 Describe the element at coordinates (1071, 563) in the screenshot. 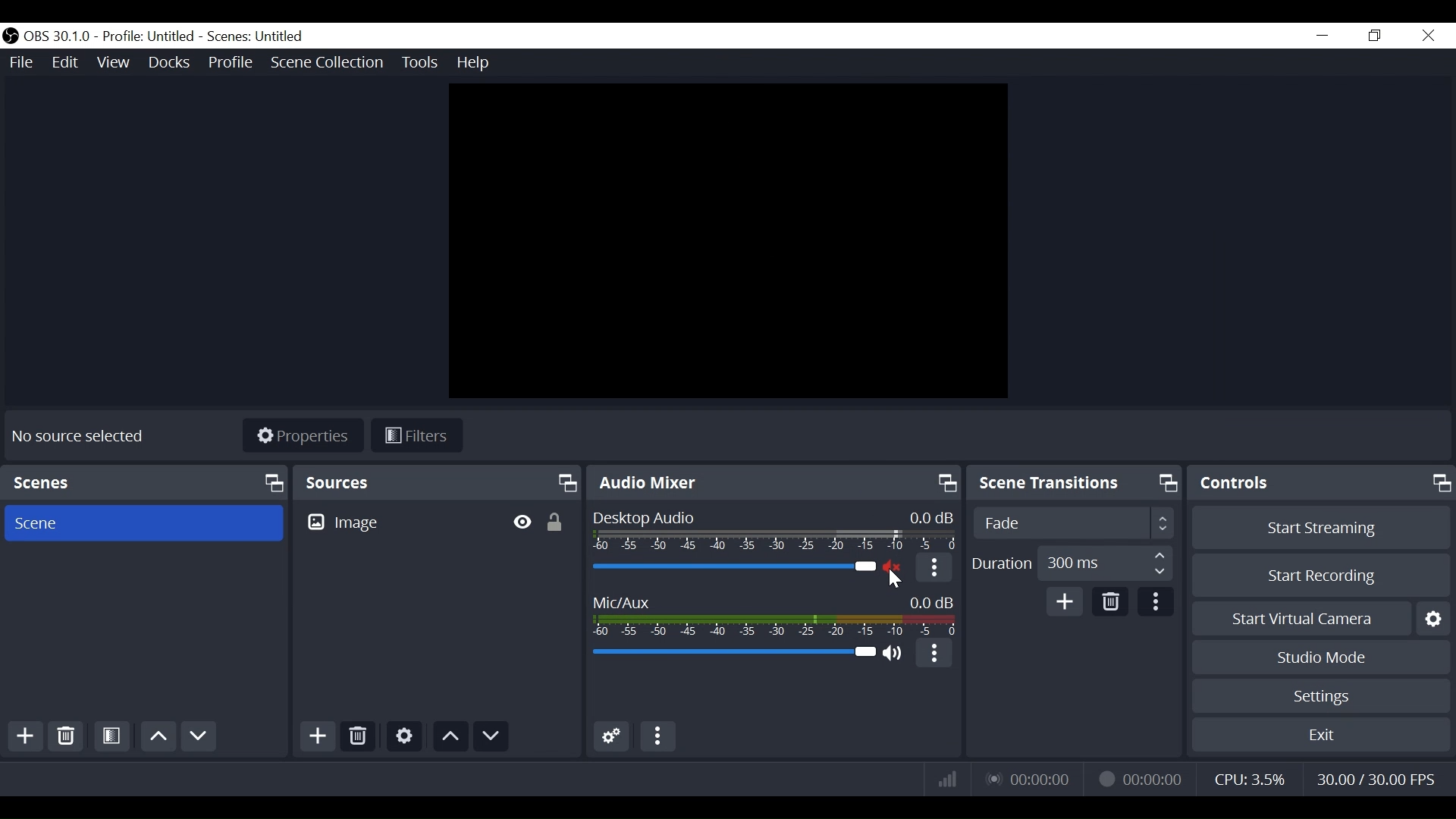

I see `Adjust Duration` at that location.